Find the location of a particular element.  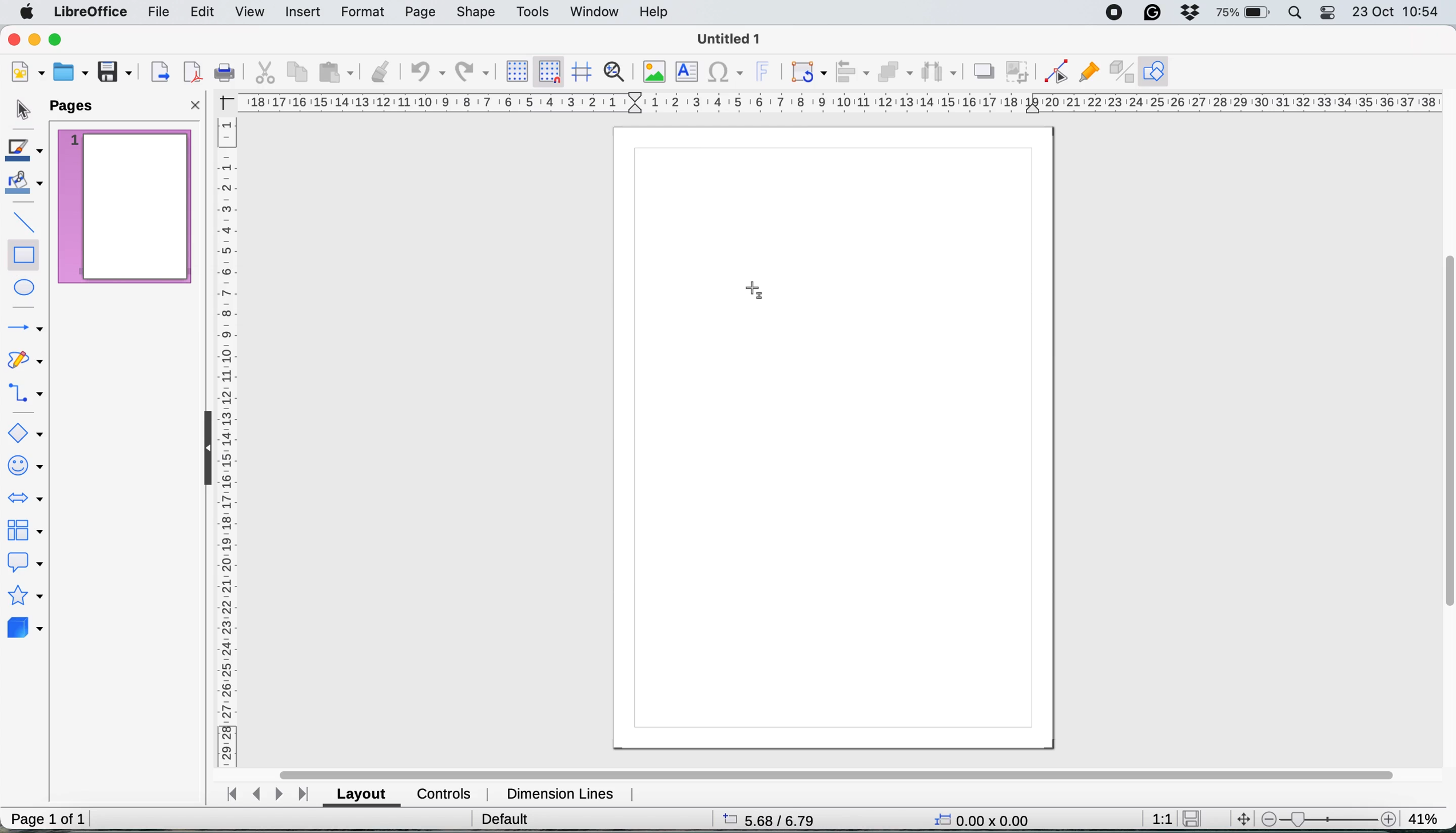

save is located at coordinates (112, 72).